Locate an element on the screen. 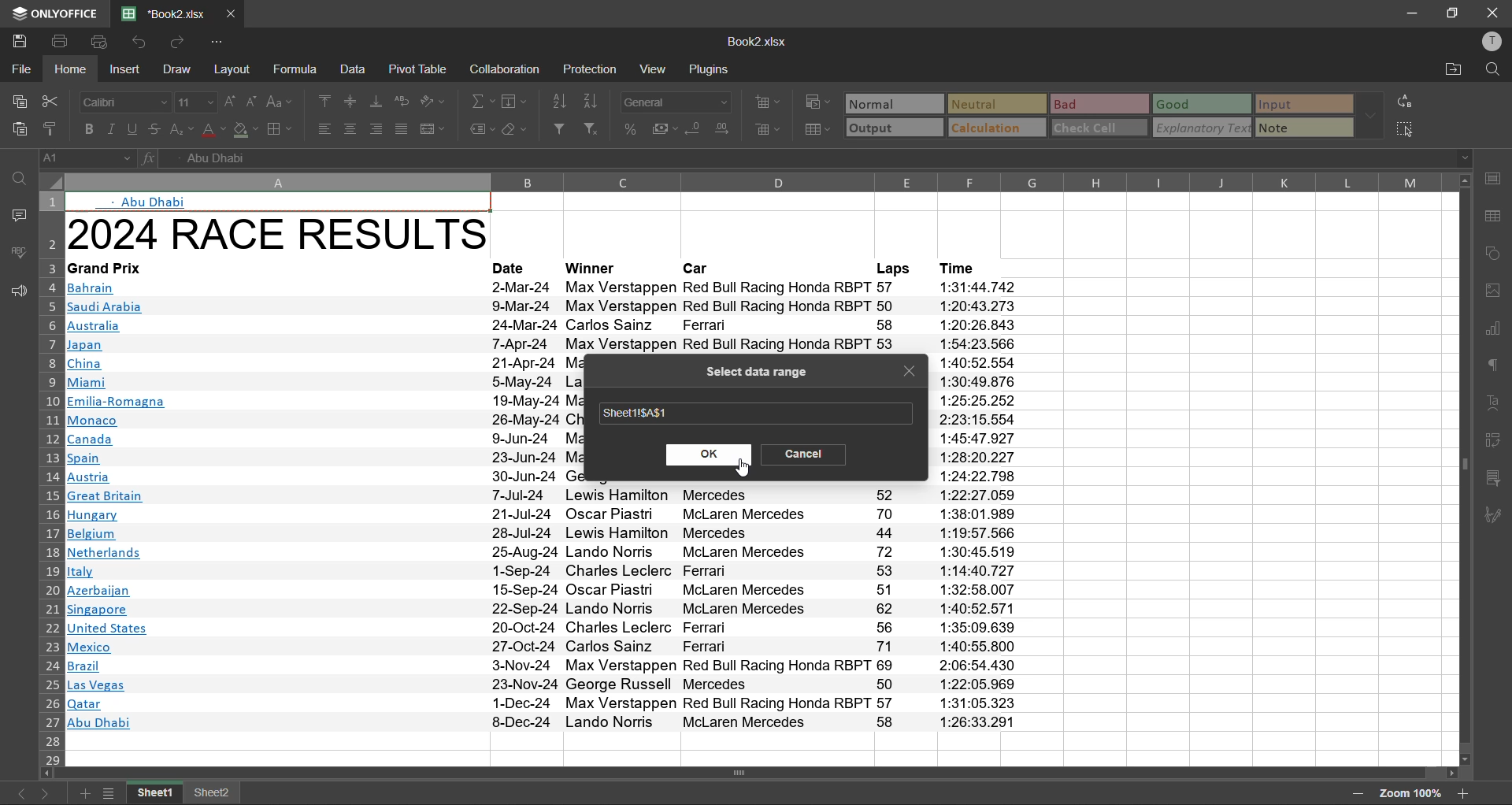 The image size is (1512, 805). pivot table is located at coordinates (1493, 440).